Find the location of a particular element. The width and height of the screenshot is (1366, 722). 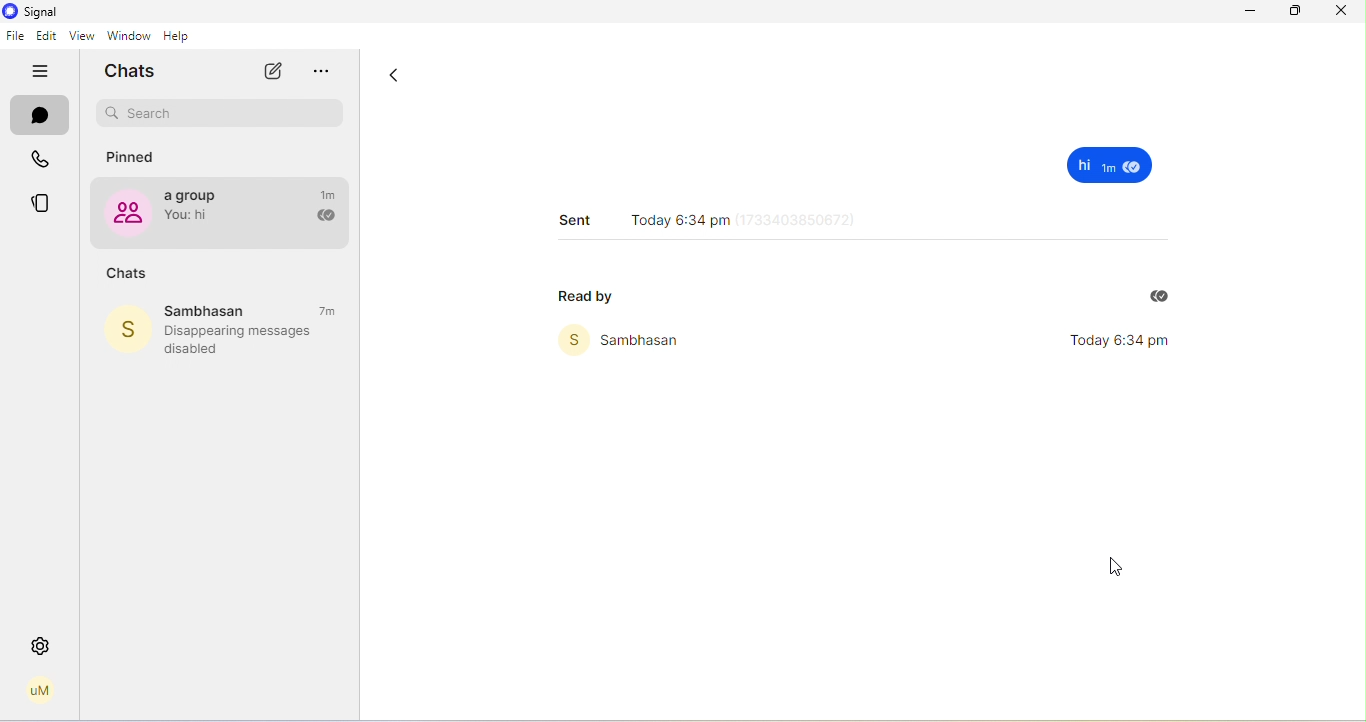

close is located at coordinates (1340, 10).